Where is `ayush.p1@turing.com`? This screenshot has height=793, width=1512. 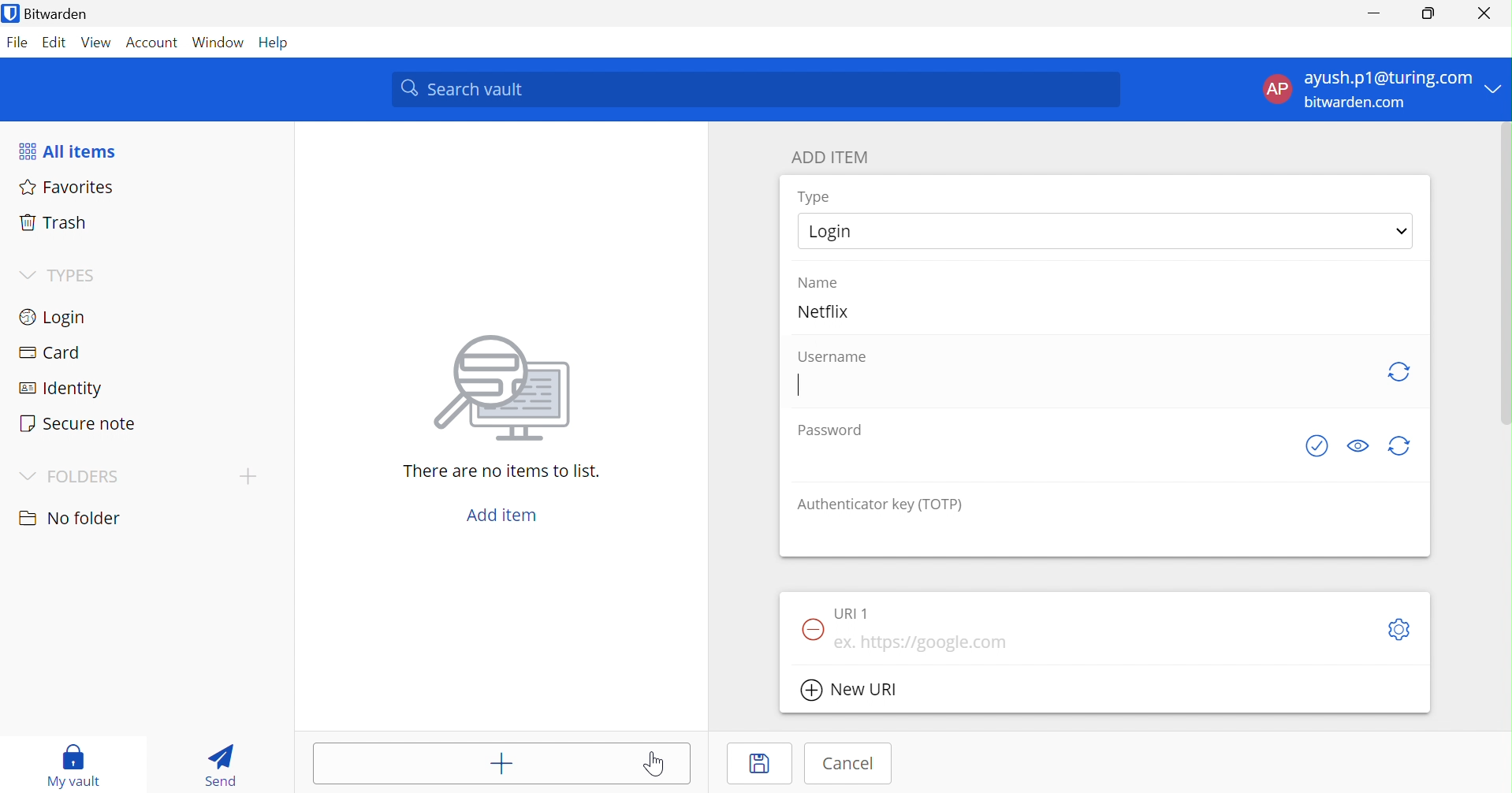 ayush.p1@turing.com is located at coordinates (1387, 76).